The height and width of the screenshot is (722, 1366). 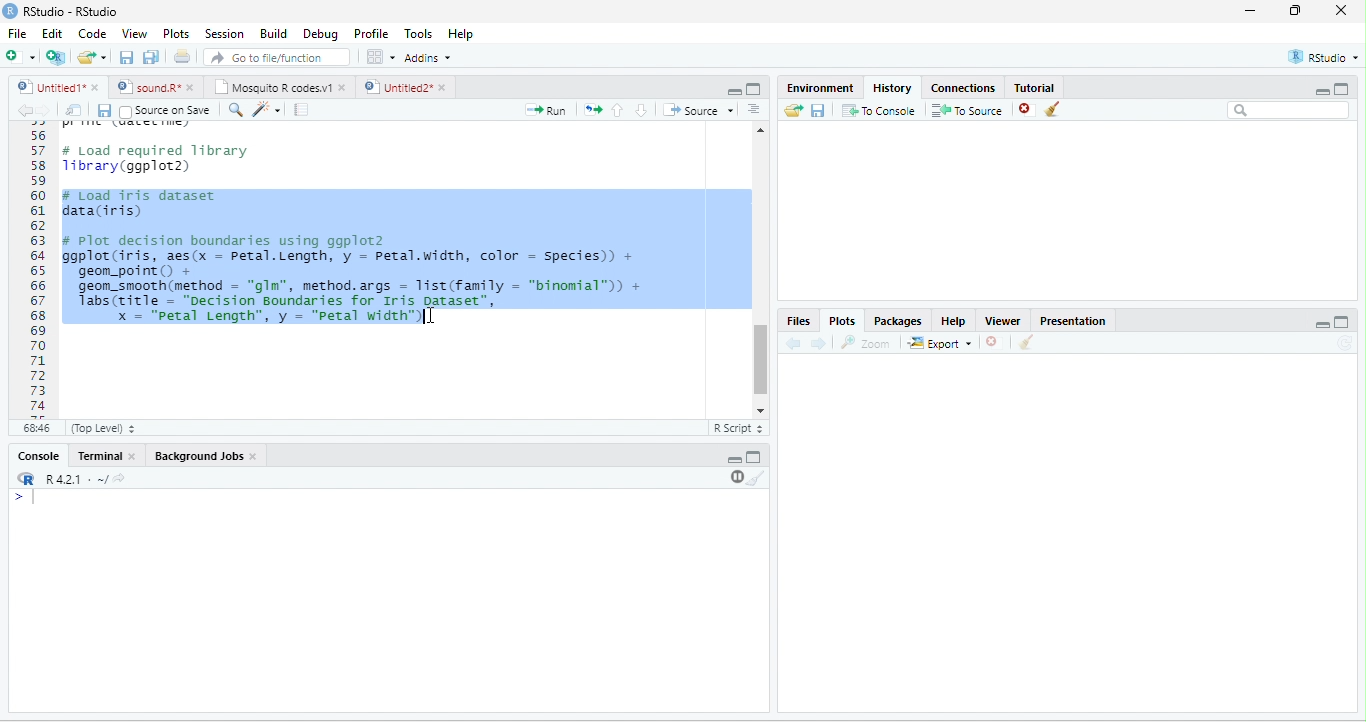 What do you see at coordinates (72, 11) in the screenshot?
I see `RStudio-RStudio` at bounding box center [72, 11].